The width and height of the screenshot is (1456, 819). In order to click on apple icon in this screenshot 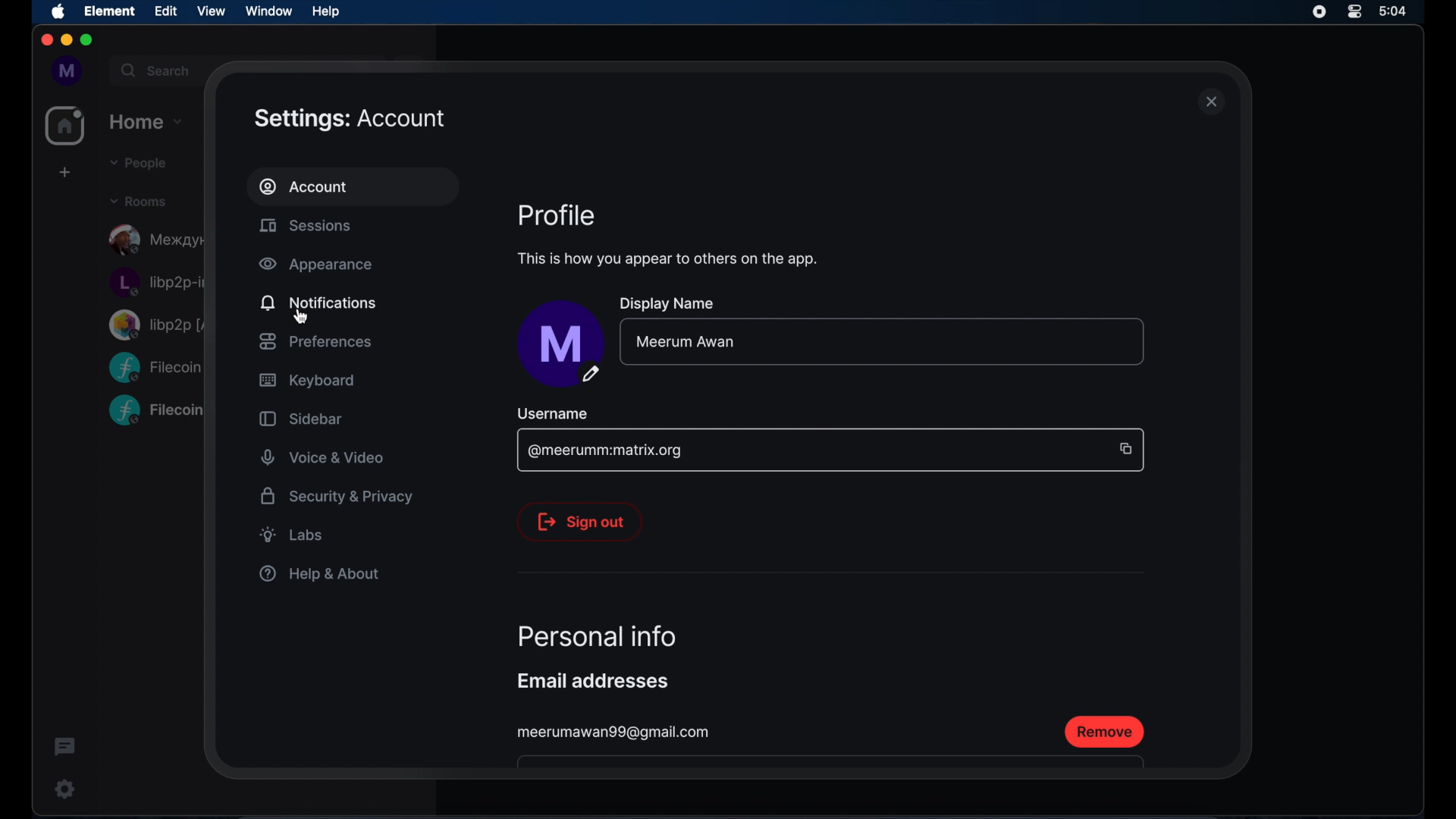, I will do `click(59, 12)`.